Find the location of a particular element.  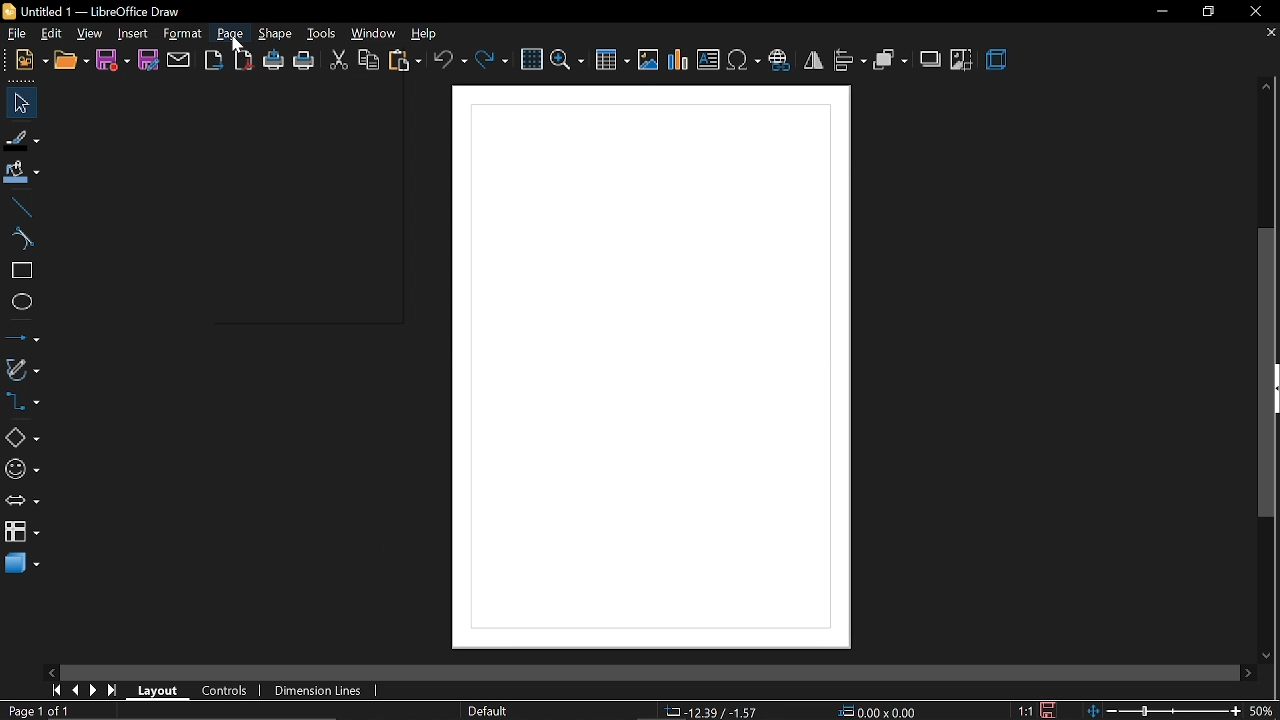

next page is located at coordinates (96, 692).